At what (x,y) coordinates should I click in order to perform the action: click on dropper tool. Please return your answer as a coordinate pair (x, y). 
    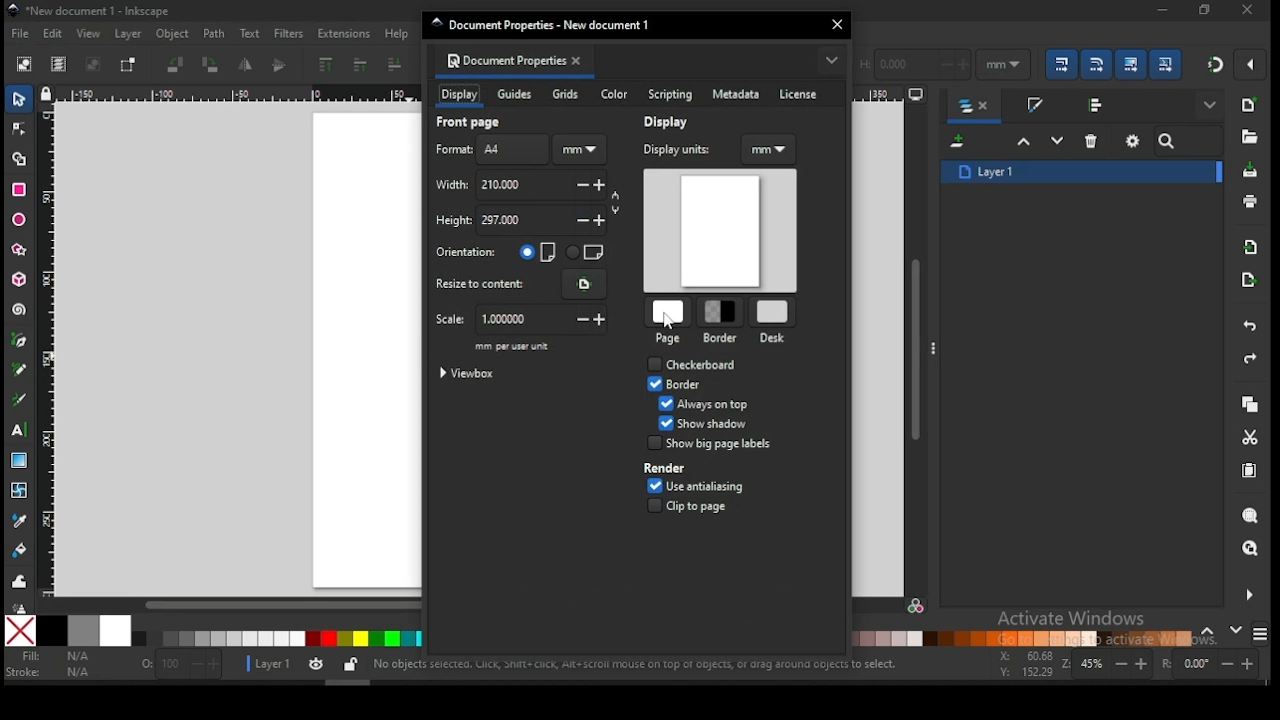
    Looking at the image, I should click on (20, 519).